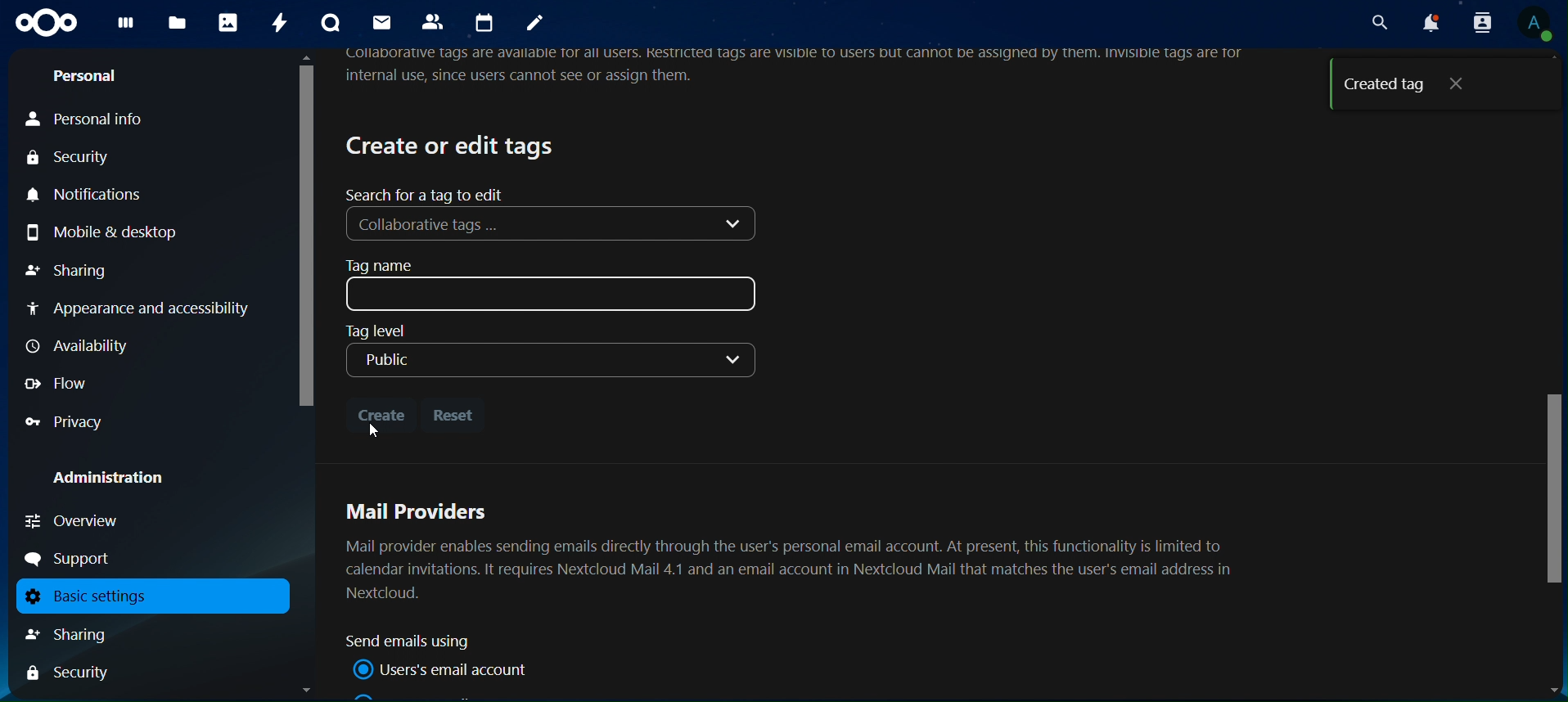 This screenshot has width=1568, height=702. What do you see at coordinates (78, 160) in the screenshot?
I see `security` at bounding box center [78, 160].